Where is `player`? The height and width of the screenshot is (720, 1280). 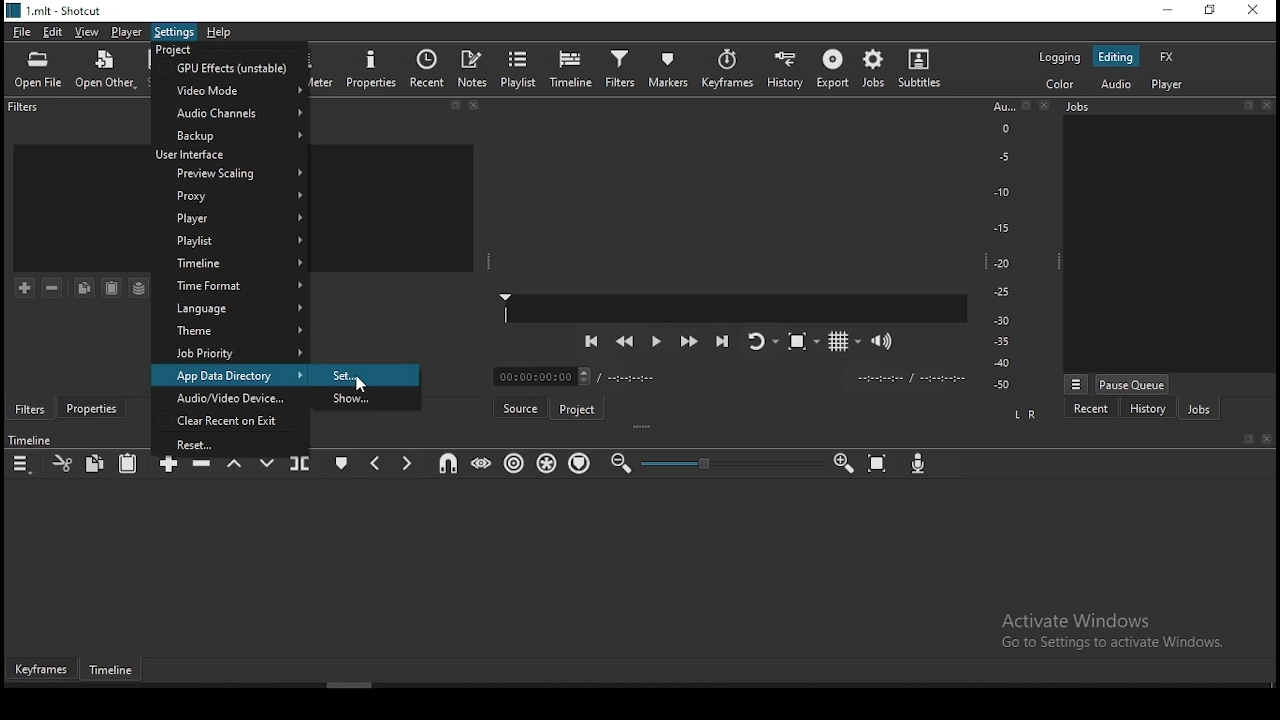 player is located at coordinates (124, 33).